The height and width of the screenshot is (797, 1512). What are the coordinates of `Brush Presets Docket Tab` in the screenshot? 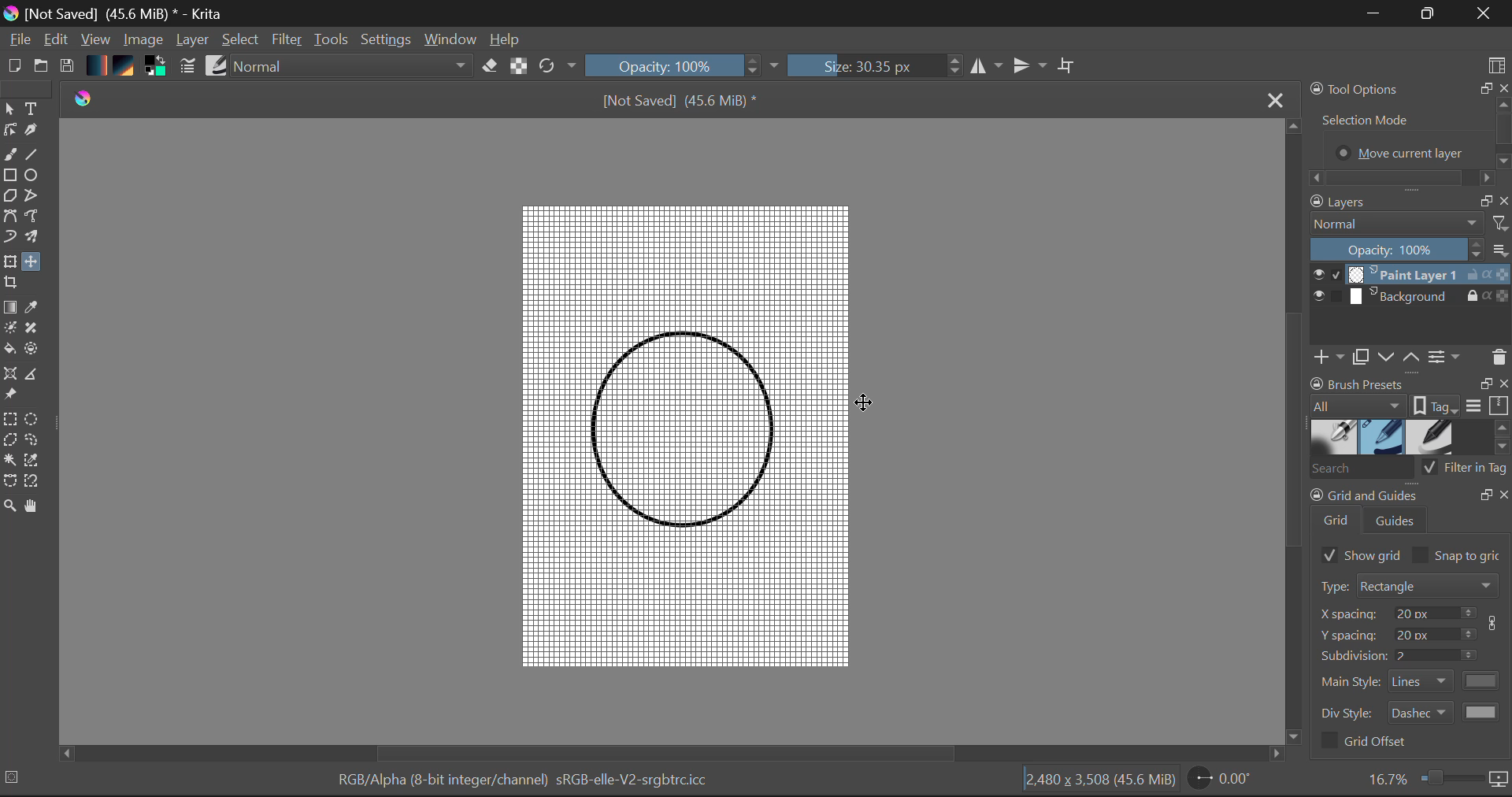 It's located at (1410, 395).